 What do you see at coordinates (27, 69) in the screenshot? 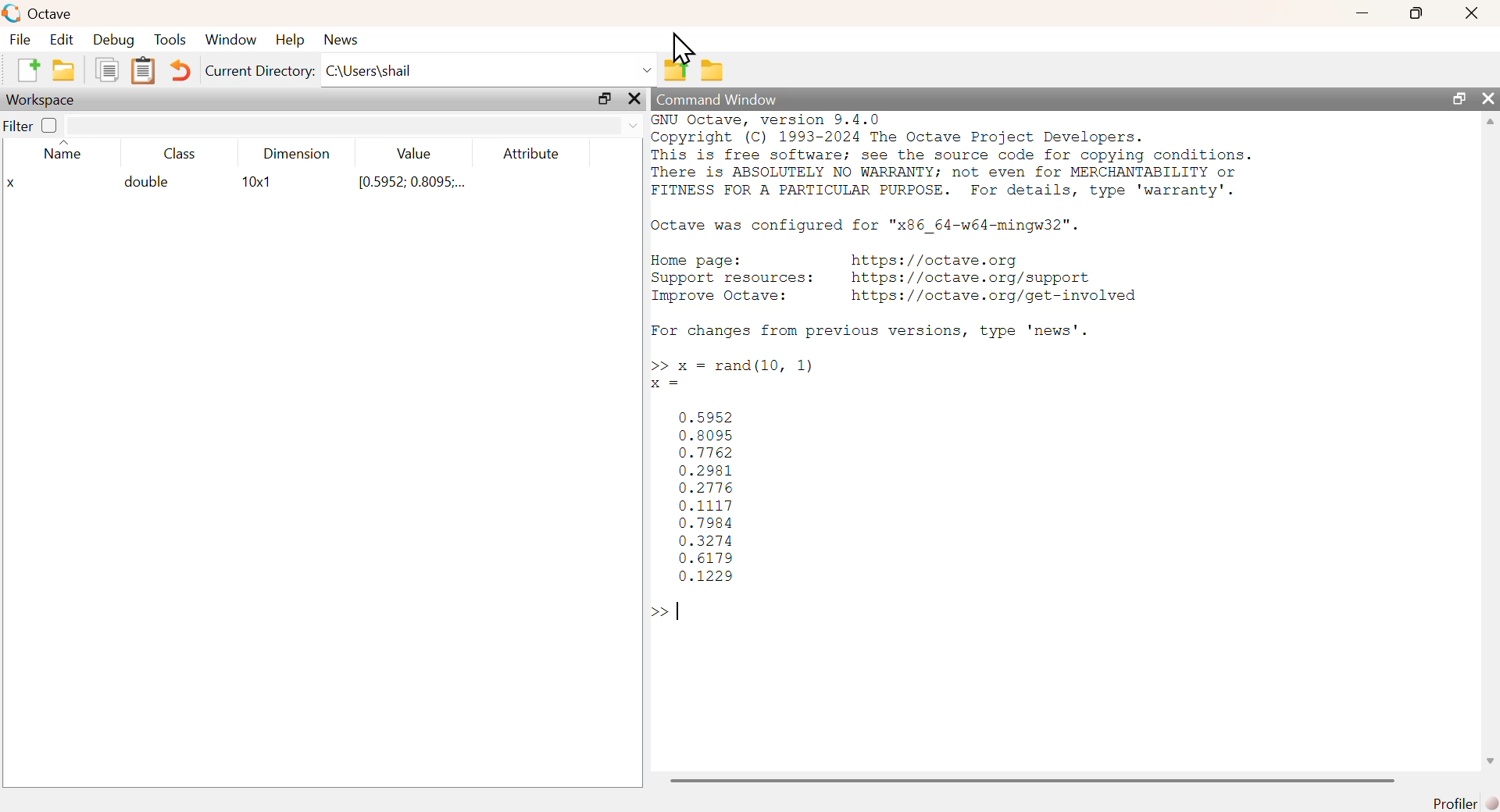
I see `new script` at bounding box center [27, 69].